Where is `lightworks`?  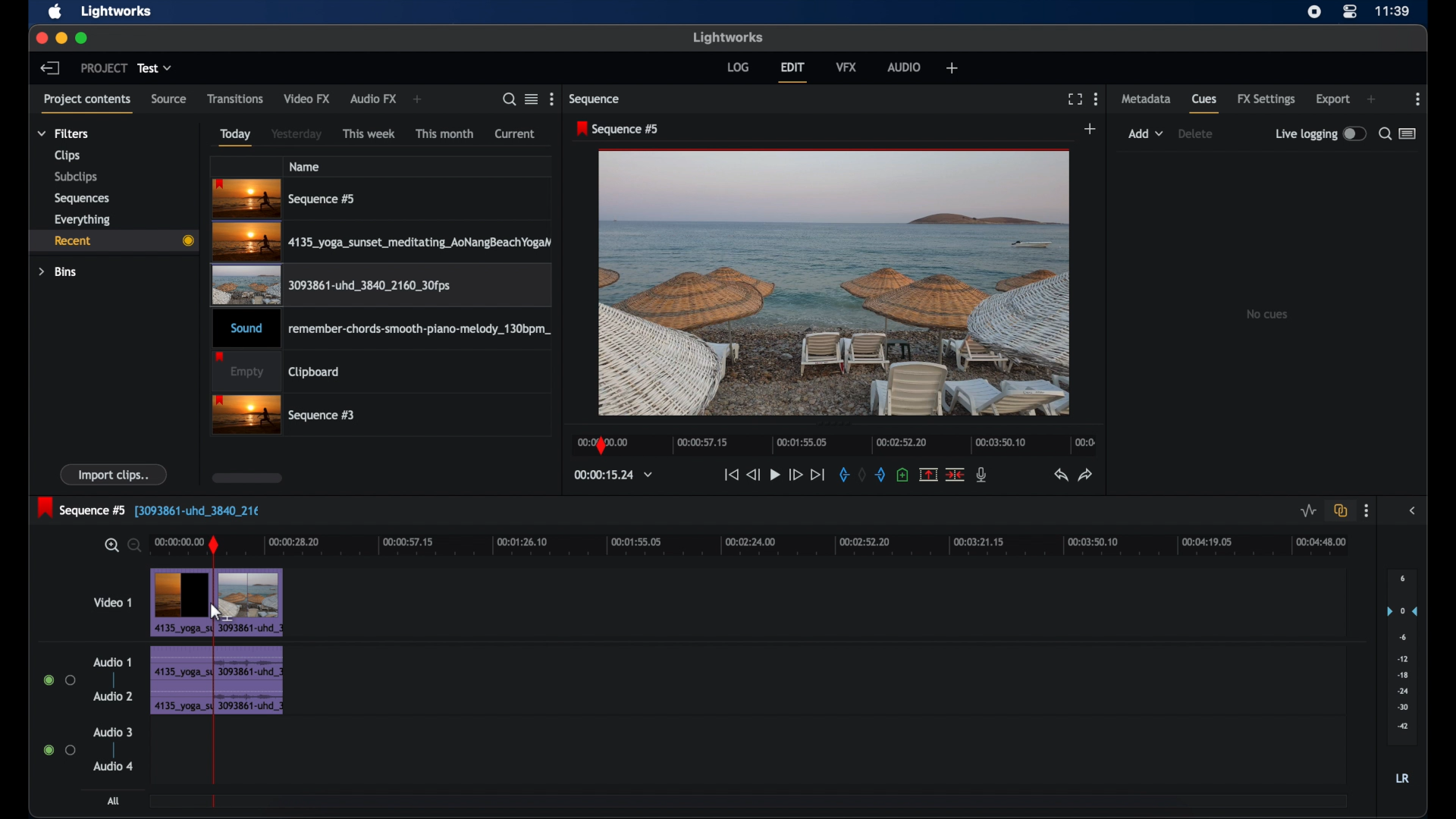 lightworks is located at coordinates (117, 11).